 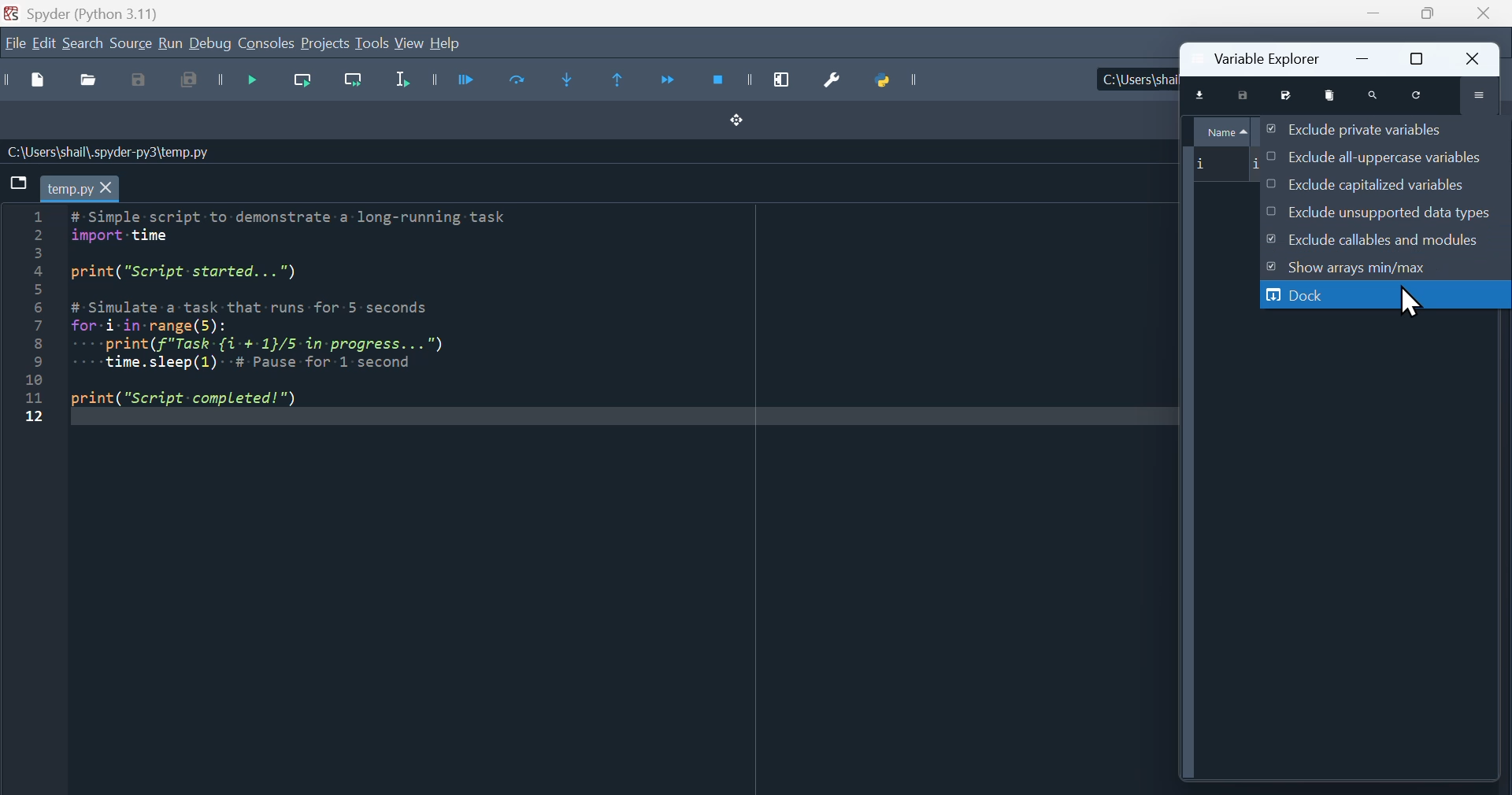 What do you see at coordinates (1481, 95) in the screenshot?
I see `options` at bounding box center [1481, 95].